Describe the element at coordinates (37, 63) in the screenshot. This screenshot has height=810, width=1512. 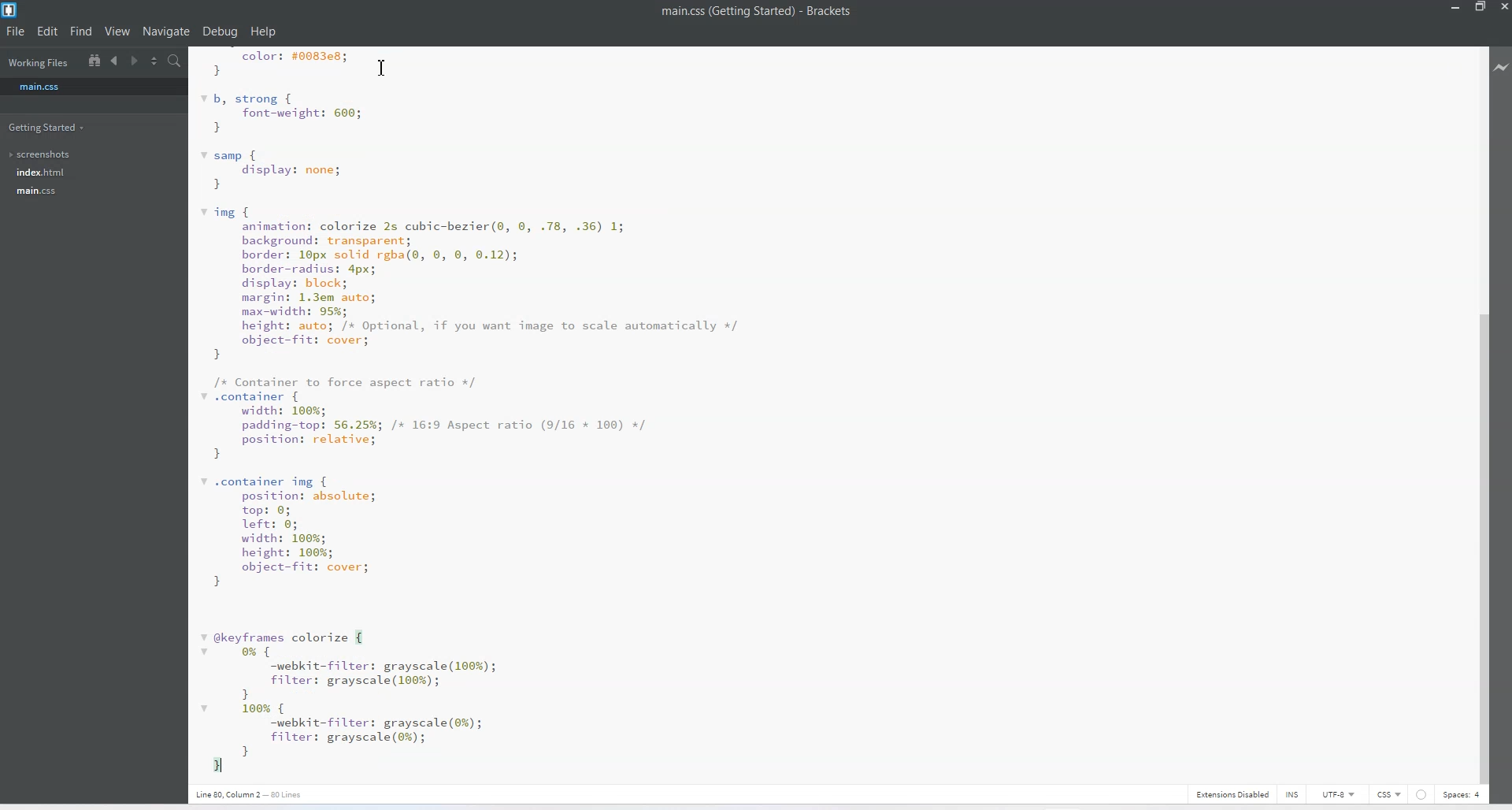
I see `Working Files` at that location.